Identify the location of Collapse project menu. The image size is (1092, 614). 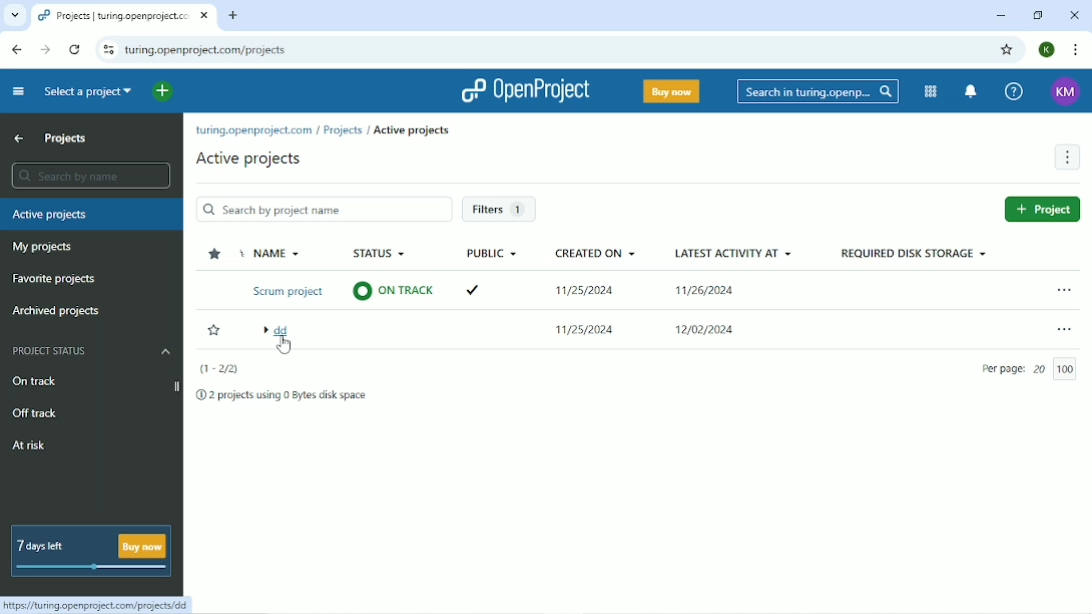
(18, 92).